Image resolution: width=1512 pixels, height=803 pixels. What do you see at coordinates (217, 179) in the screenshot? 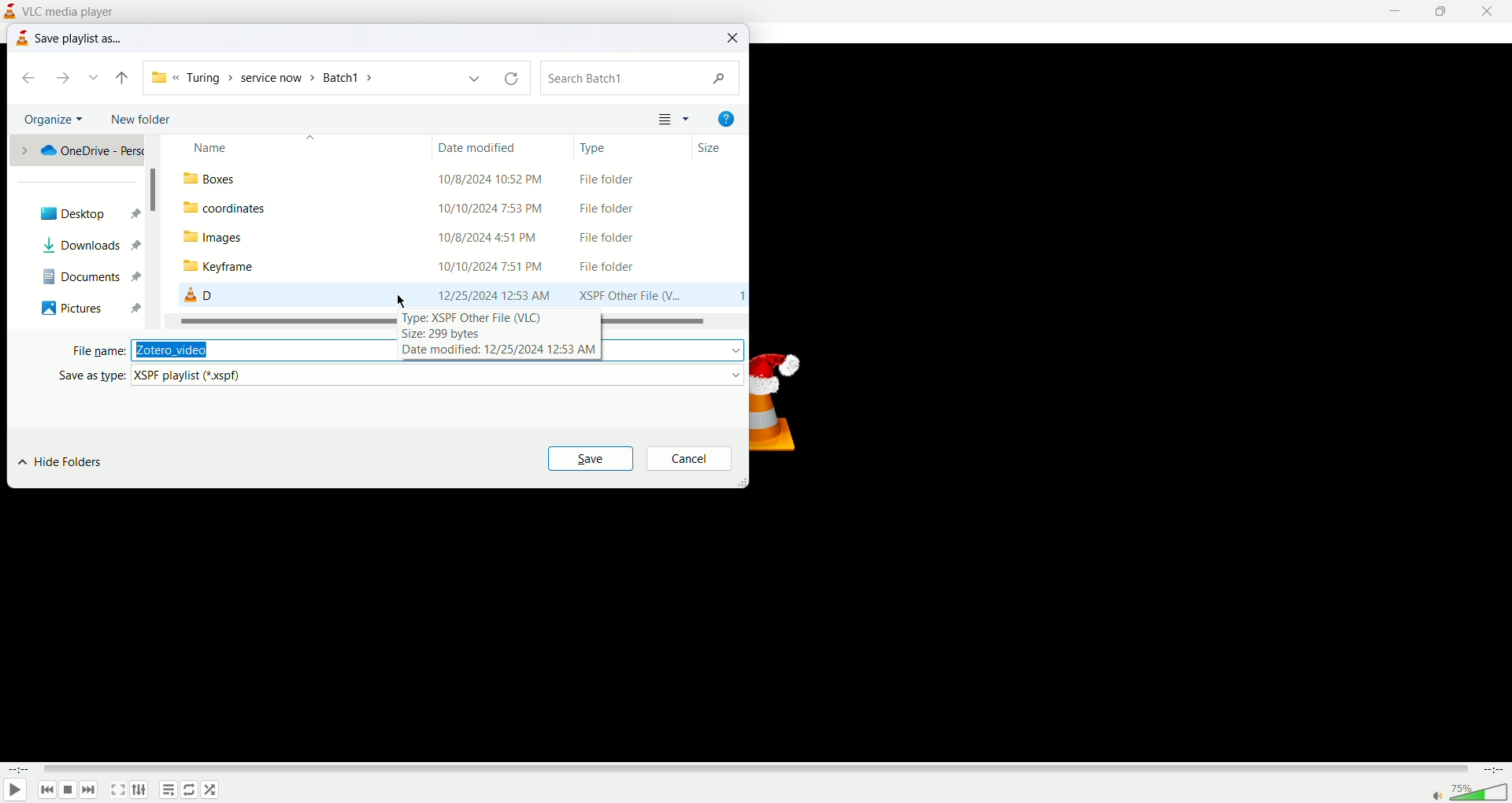
I see `boxes` at bounding box center [217, 179].